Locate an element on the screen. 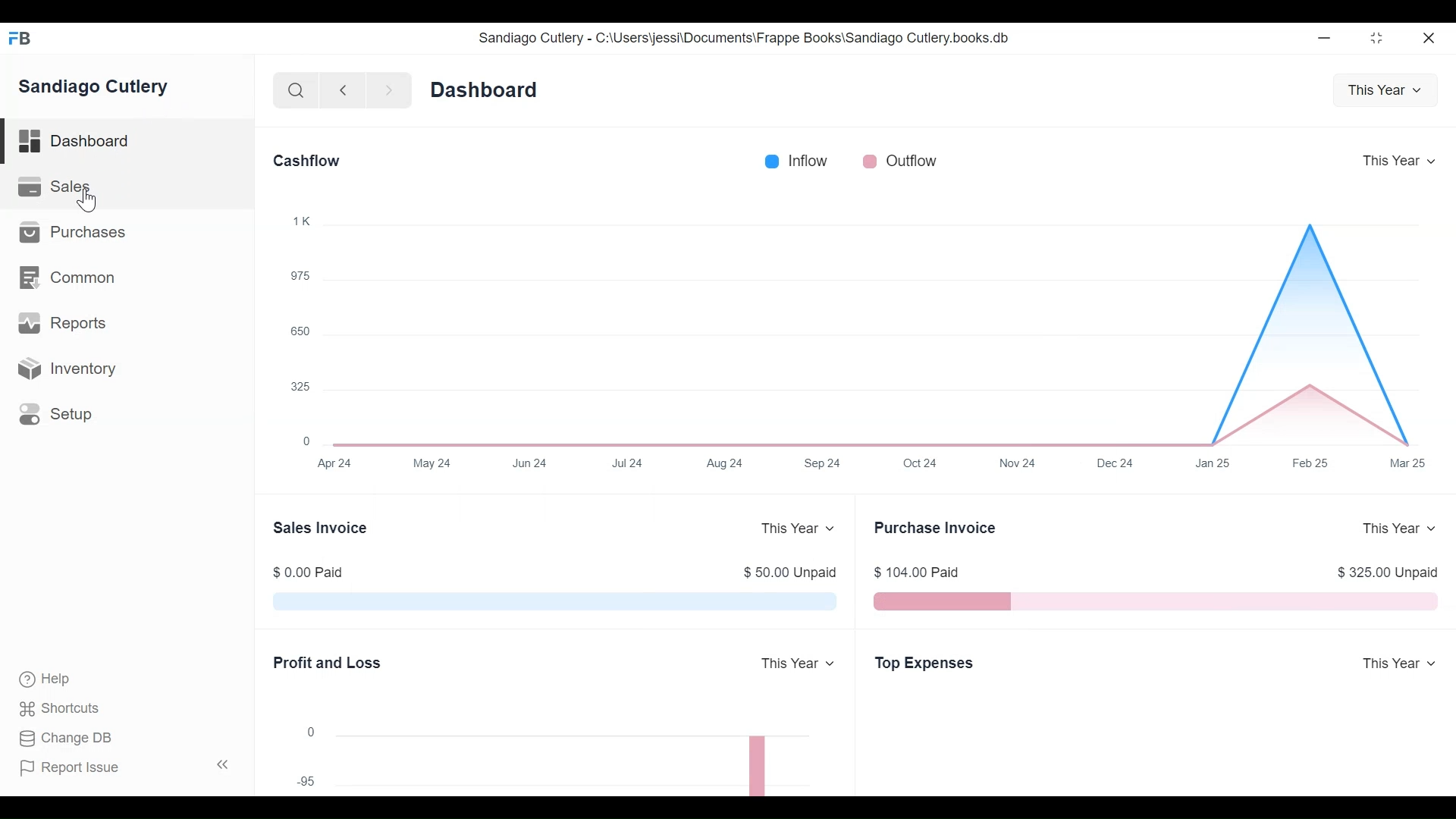 The width and height of the screenshot is (1456, 819). This Year is located at coordinates (797, 664).